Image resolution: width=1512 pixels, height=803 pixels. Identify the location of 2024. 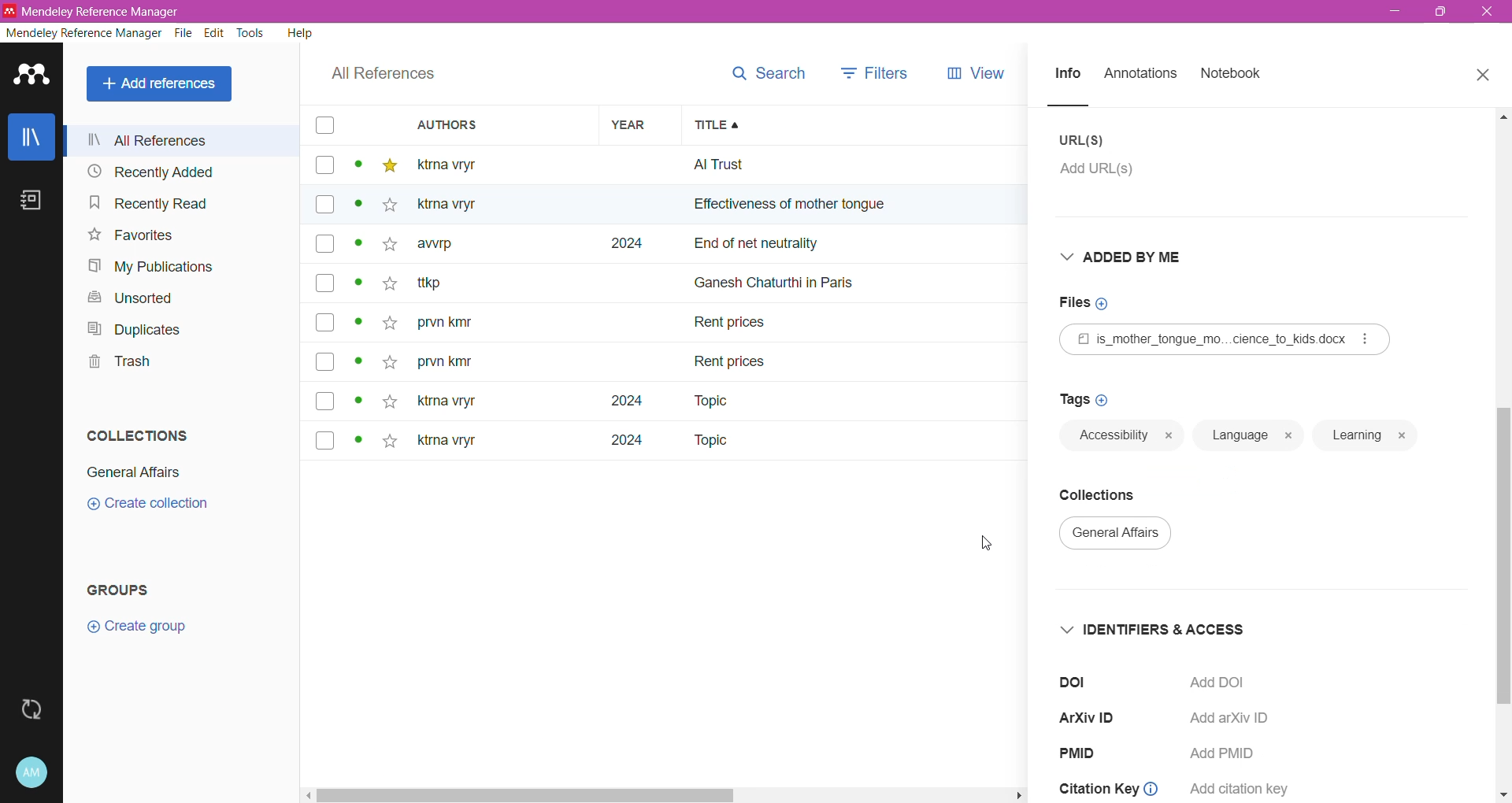
(613, 401).